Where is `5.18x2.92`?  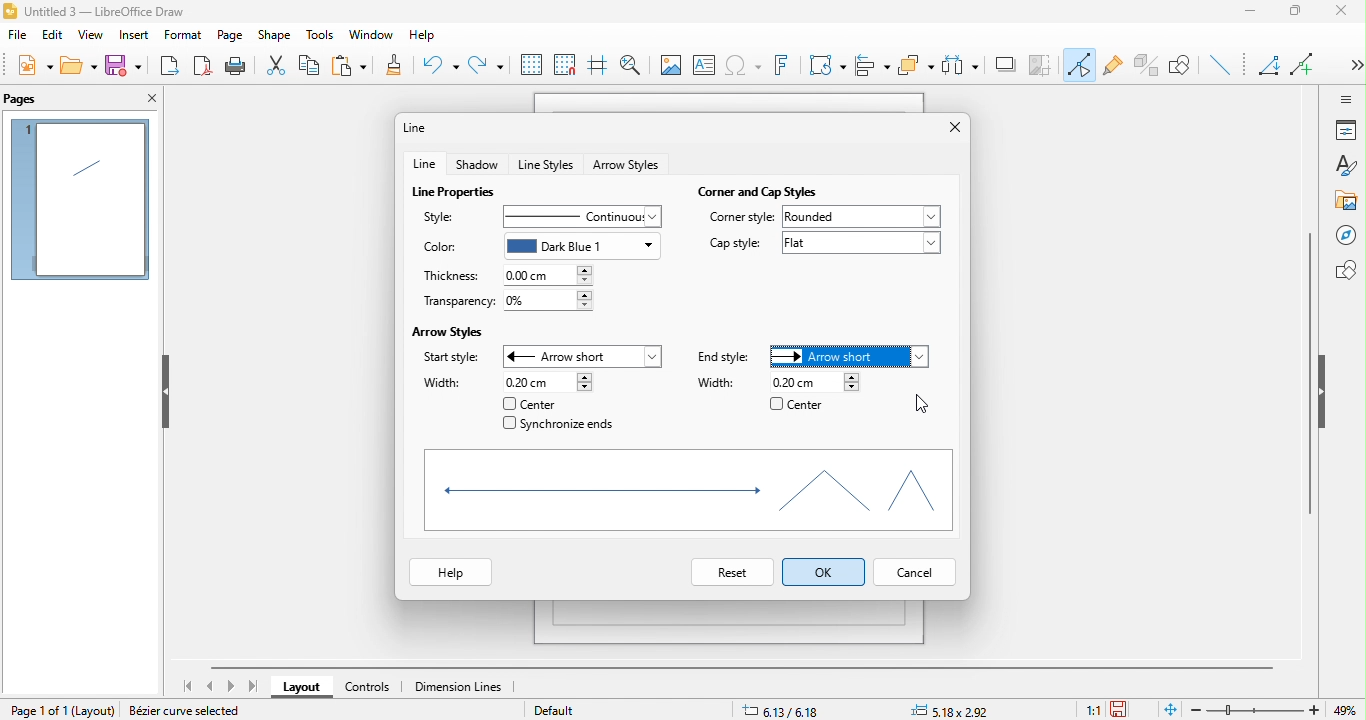 5.18x2.92 is located at coordinates (957, 711).